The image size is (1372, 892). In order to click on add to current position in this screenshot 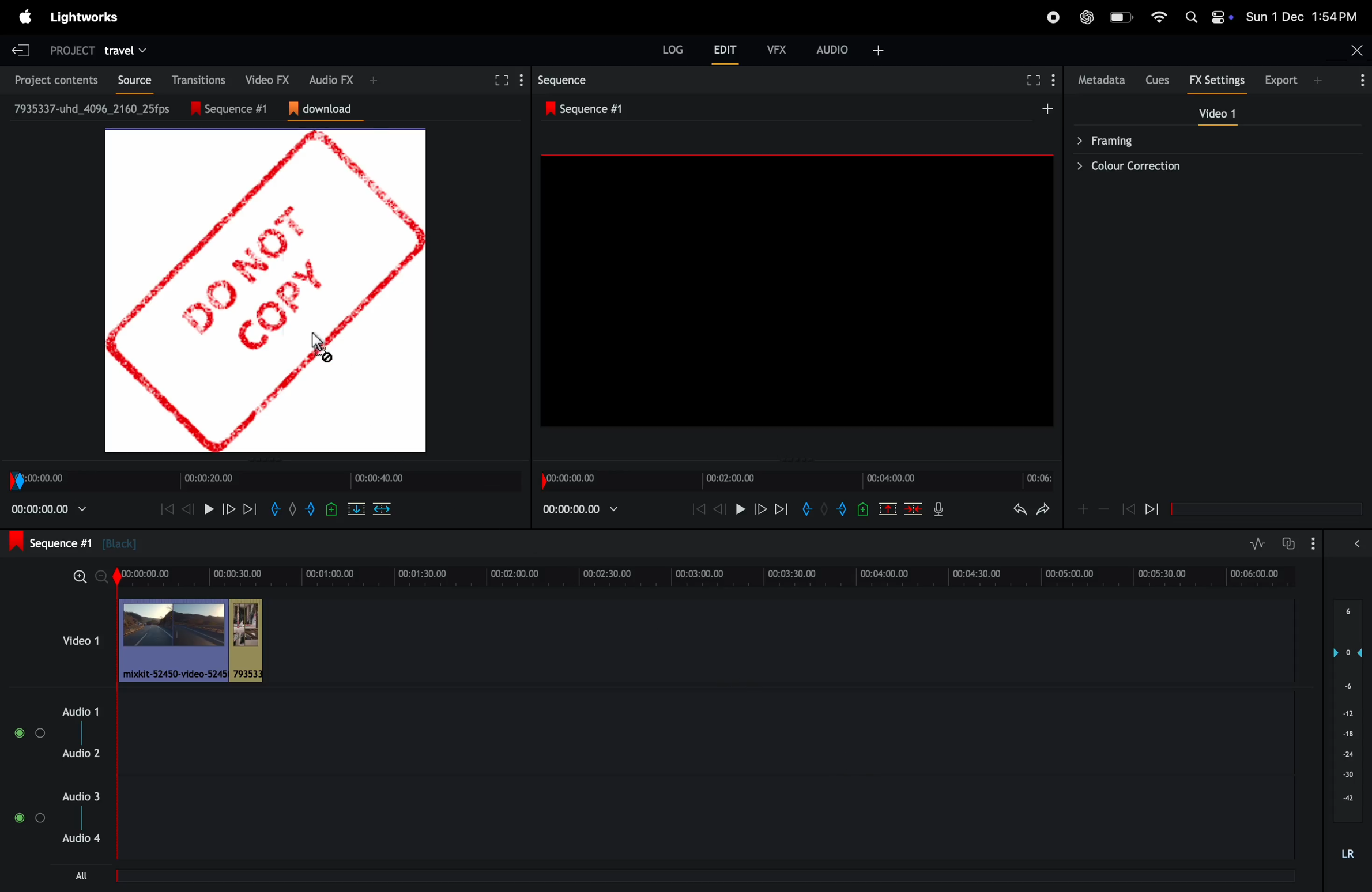, I will do `click(331, 509)`.